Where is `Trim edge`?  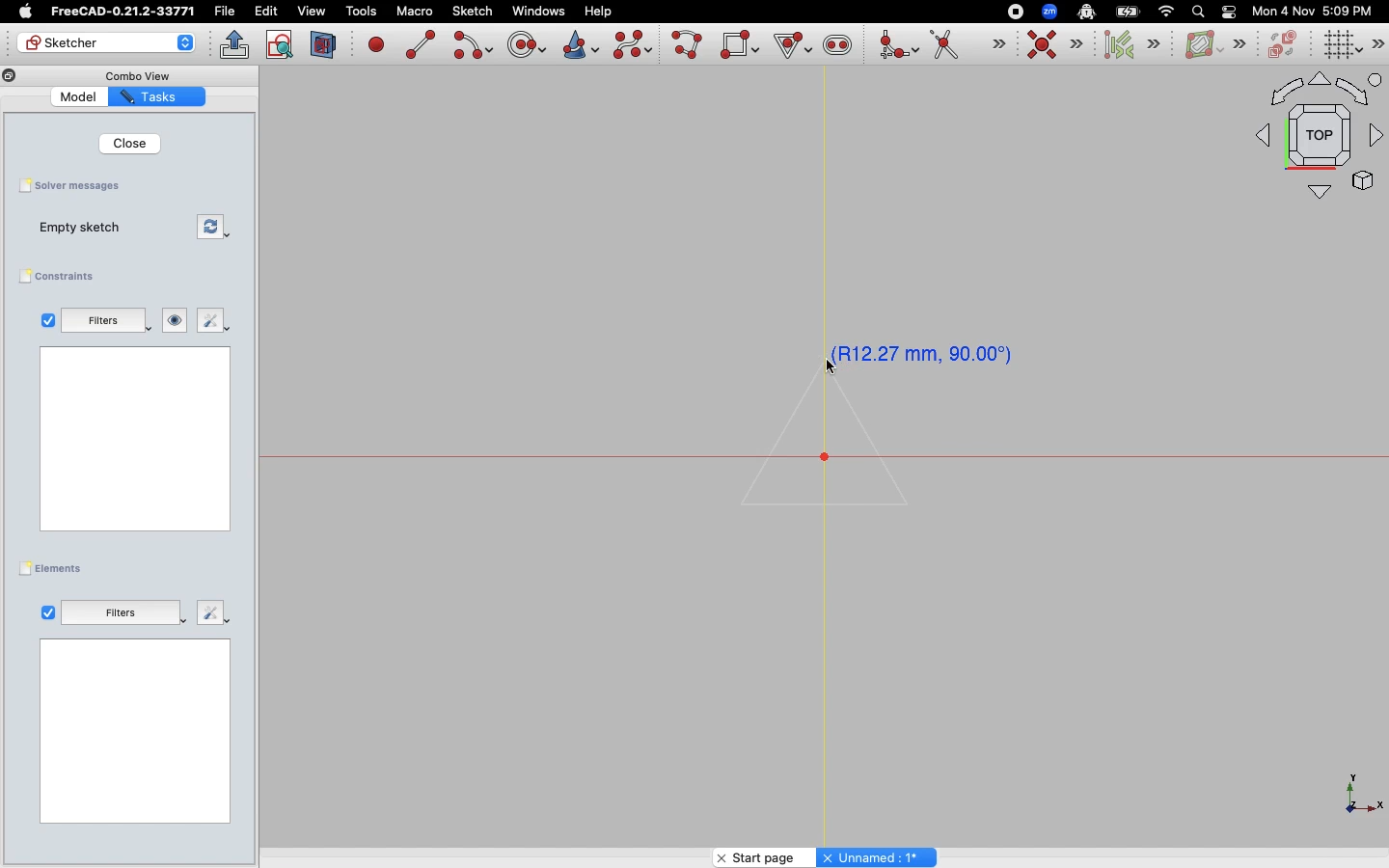 Trim edge is located at coordinates (967, 46).